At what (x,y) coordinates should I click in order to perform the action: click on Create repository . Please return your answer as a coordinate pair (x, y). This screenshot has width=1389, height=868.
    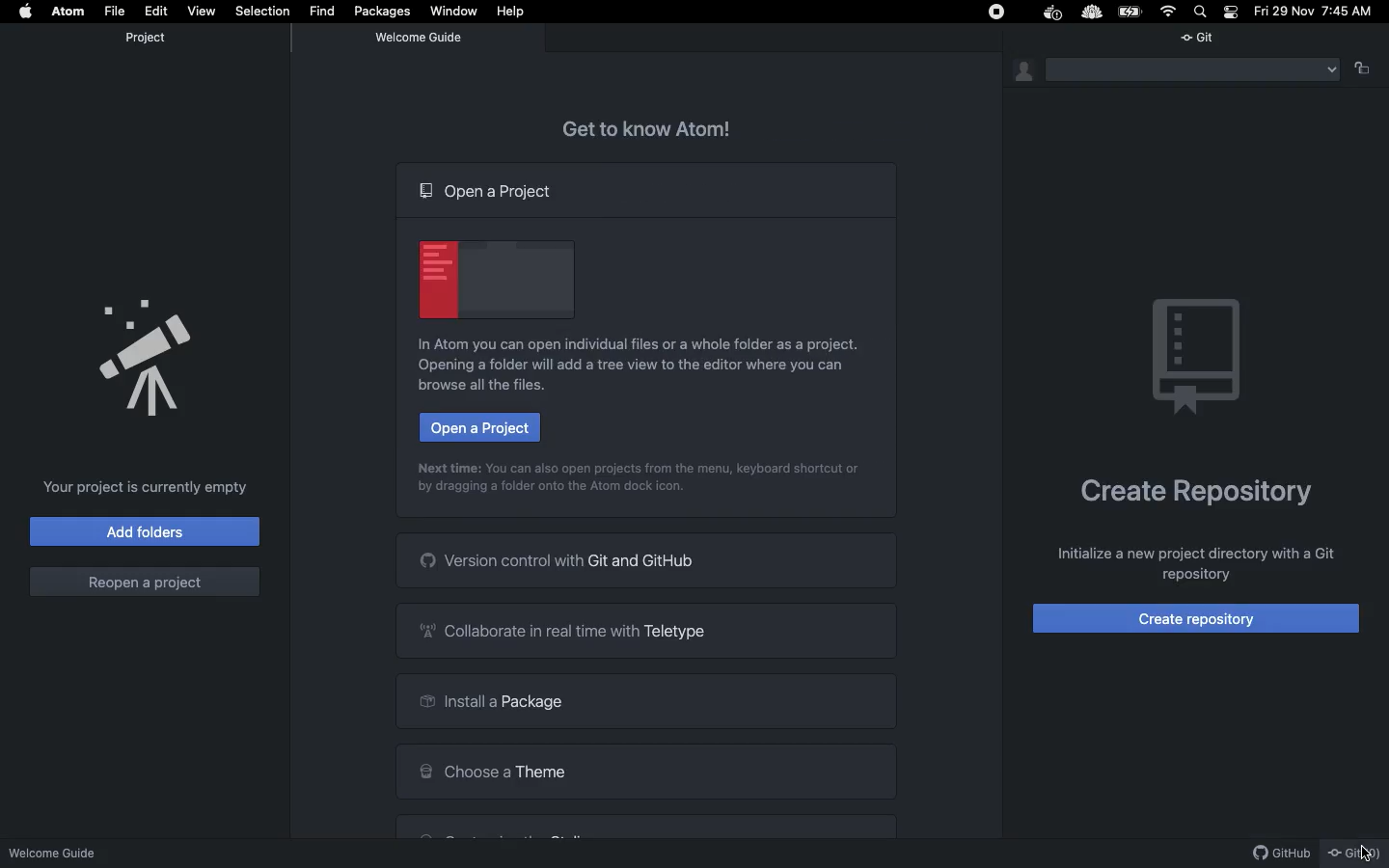
    Looking at the image, I should click on (1191, 492).